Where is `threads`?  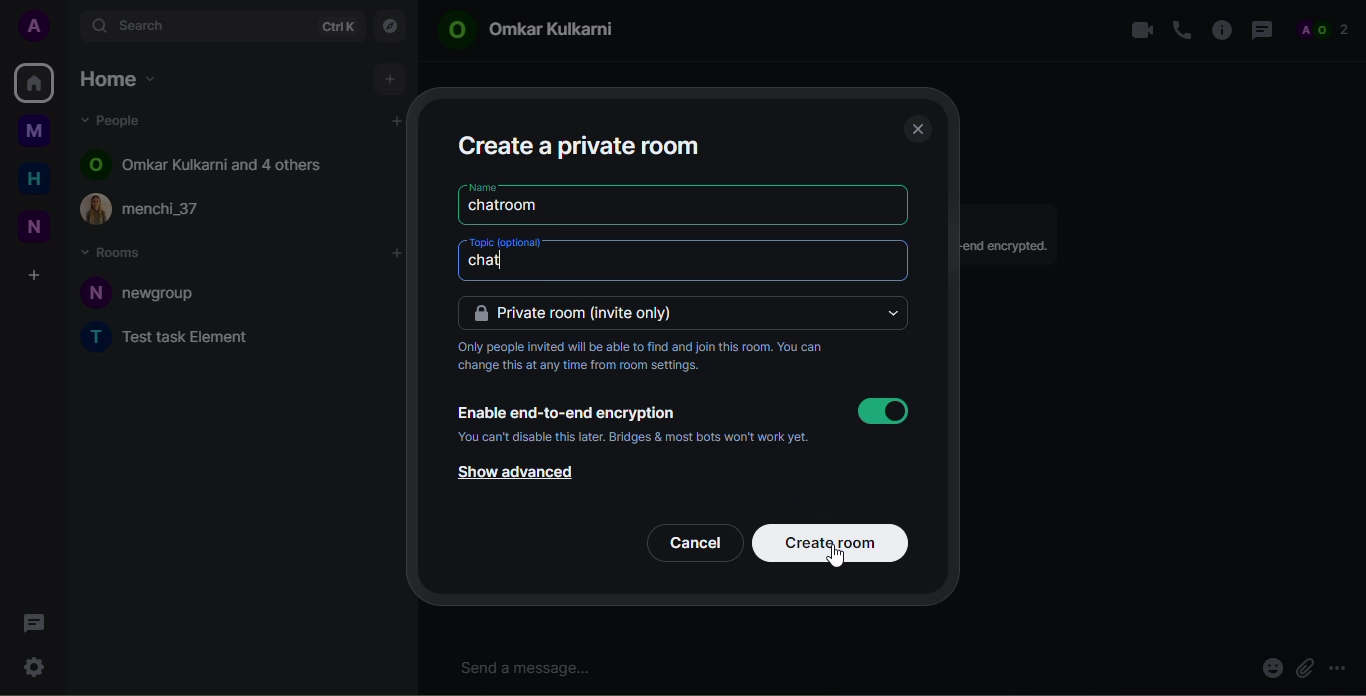
threads is located at coordinates (33, 623).